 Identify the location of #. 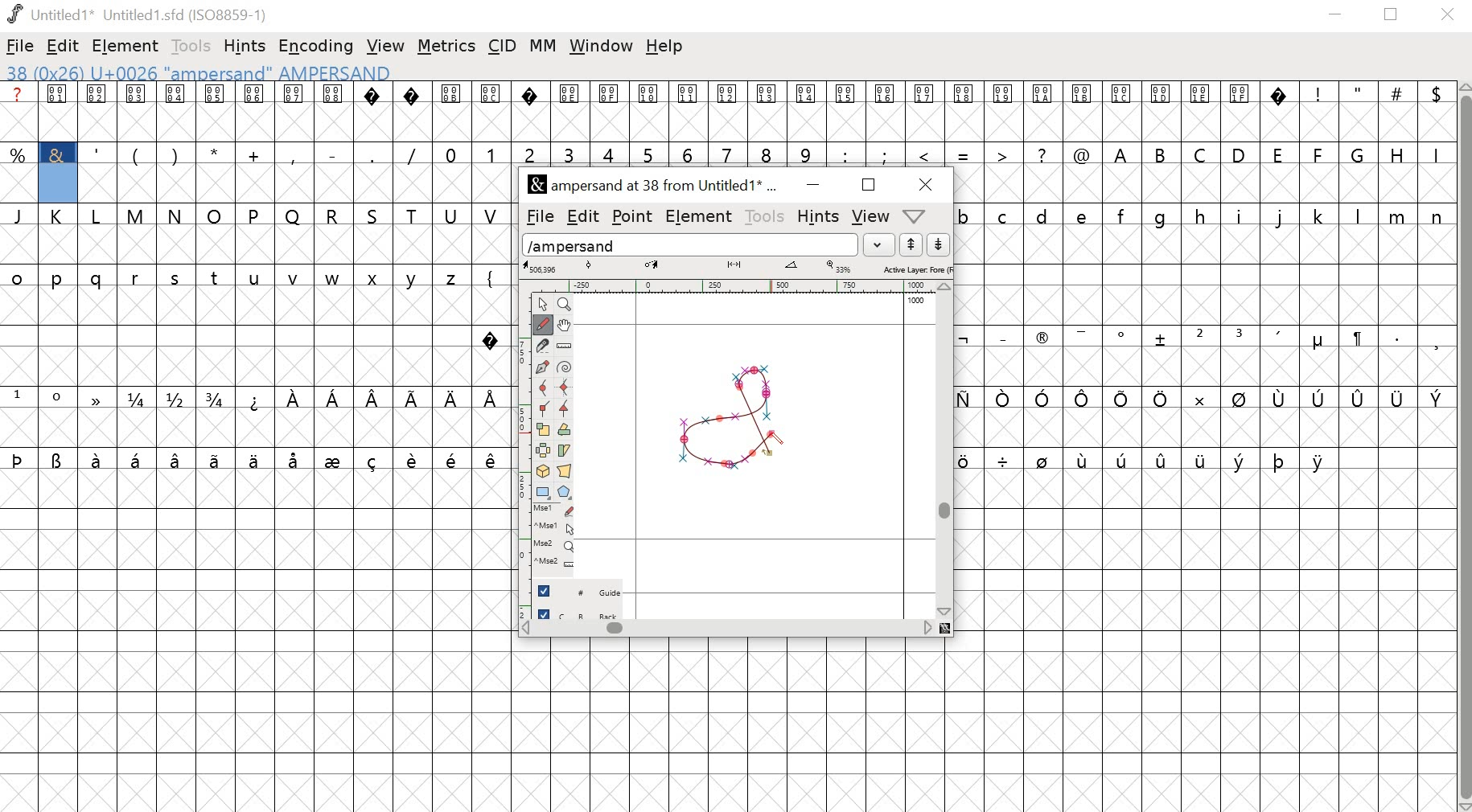
(1397, 113).